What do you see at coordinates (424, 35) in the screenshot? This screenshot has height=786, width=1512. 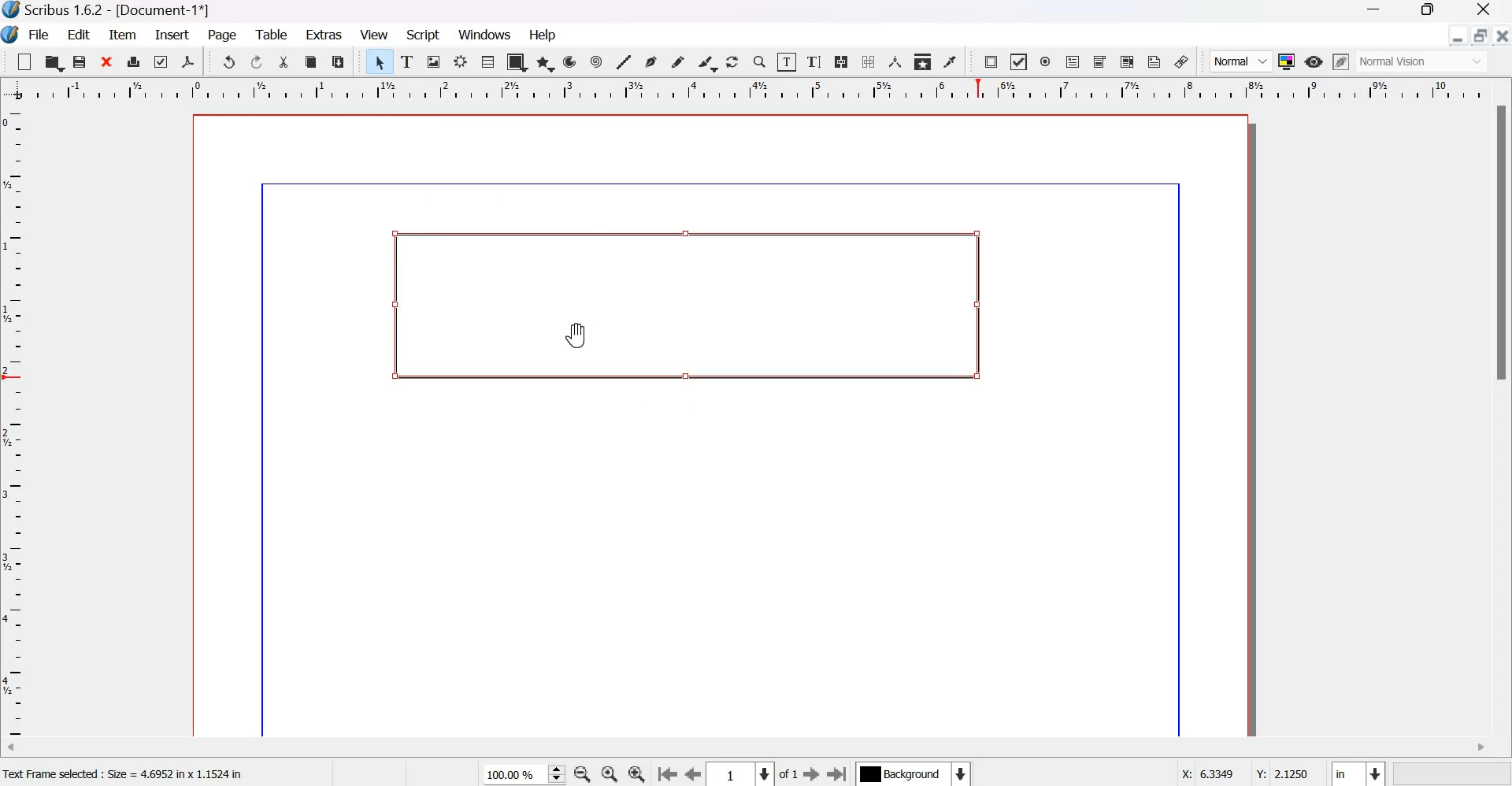 I see `script` at bounding box center [424, 35].